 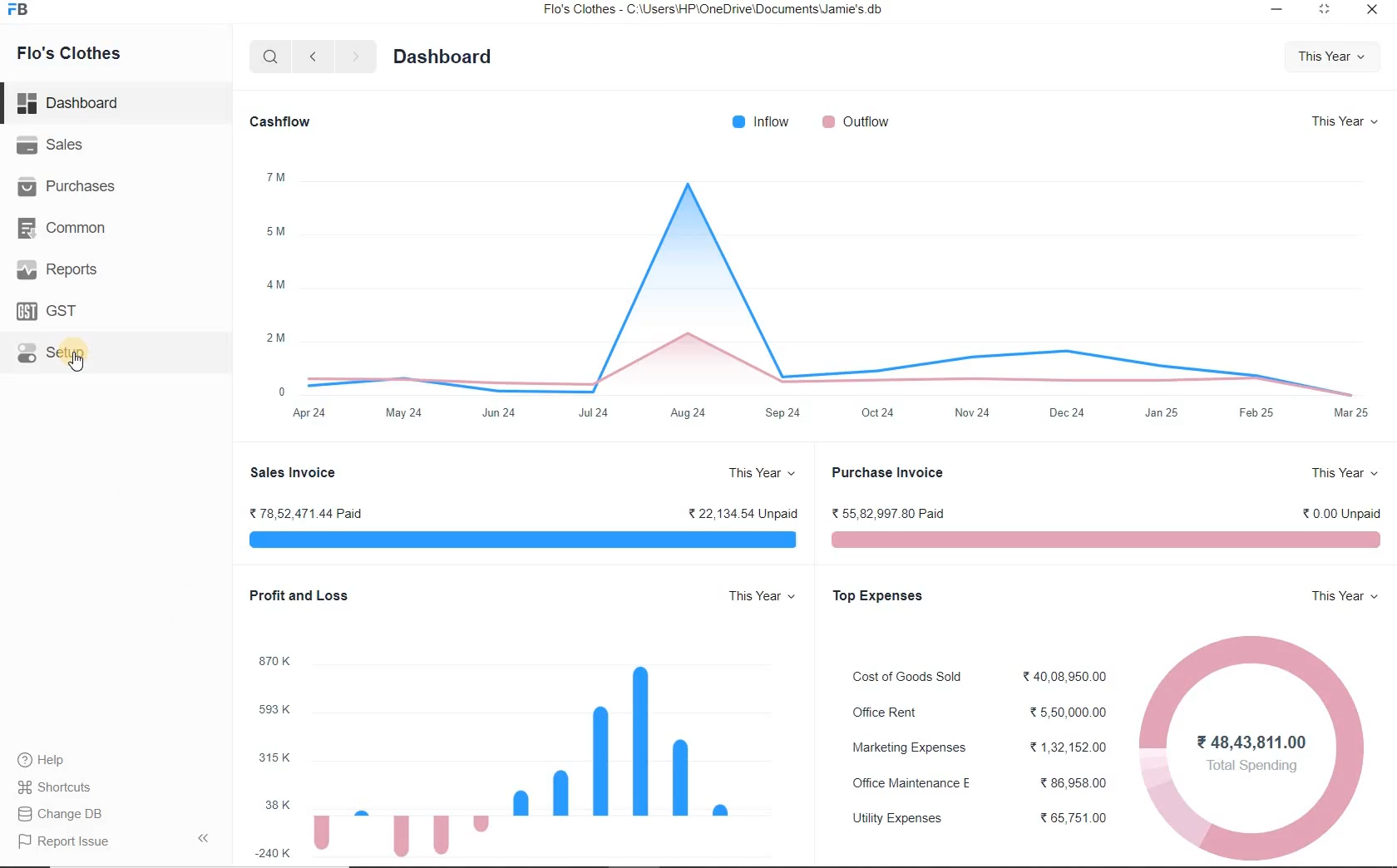 I want to click on Sales Invoice, so click(x=293, y=472).